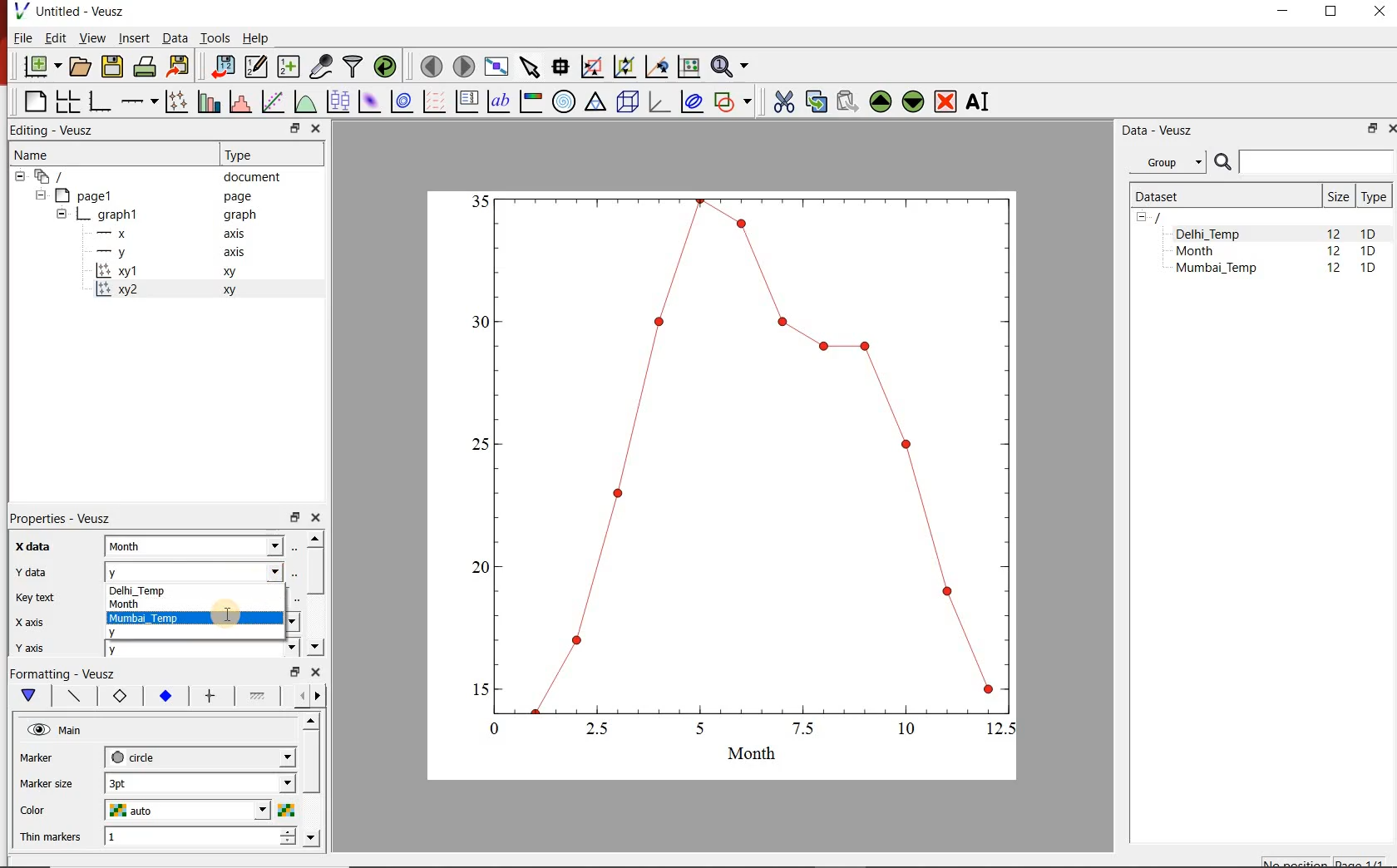  Describe the element at coordinates (209, 696) in the screenshot. I see `major ticks` at that location.